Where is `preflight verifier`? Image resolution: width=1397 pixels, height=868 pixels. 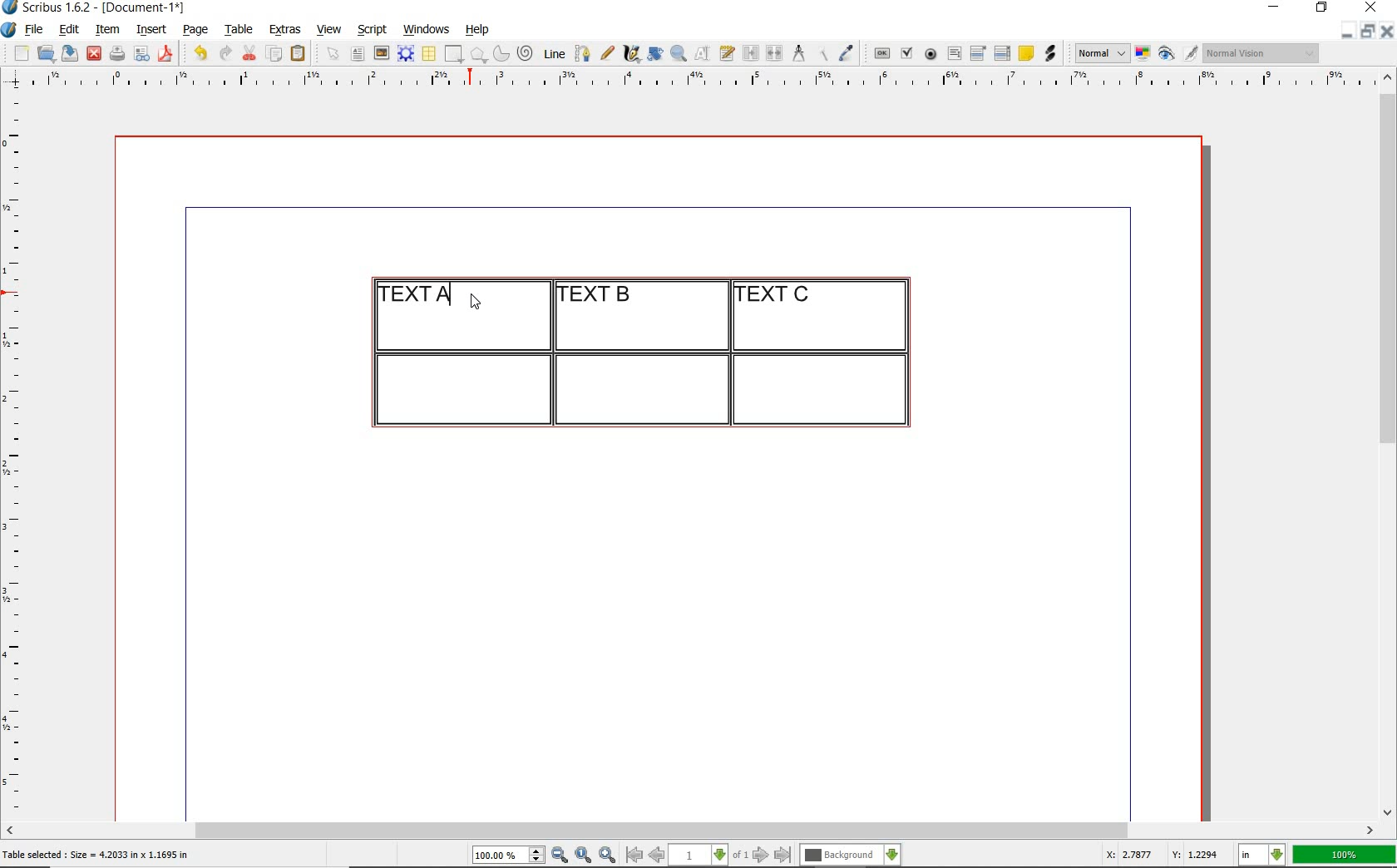 preflight verifier is located at coordinates (142, 55).